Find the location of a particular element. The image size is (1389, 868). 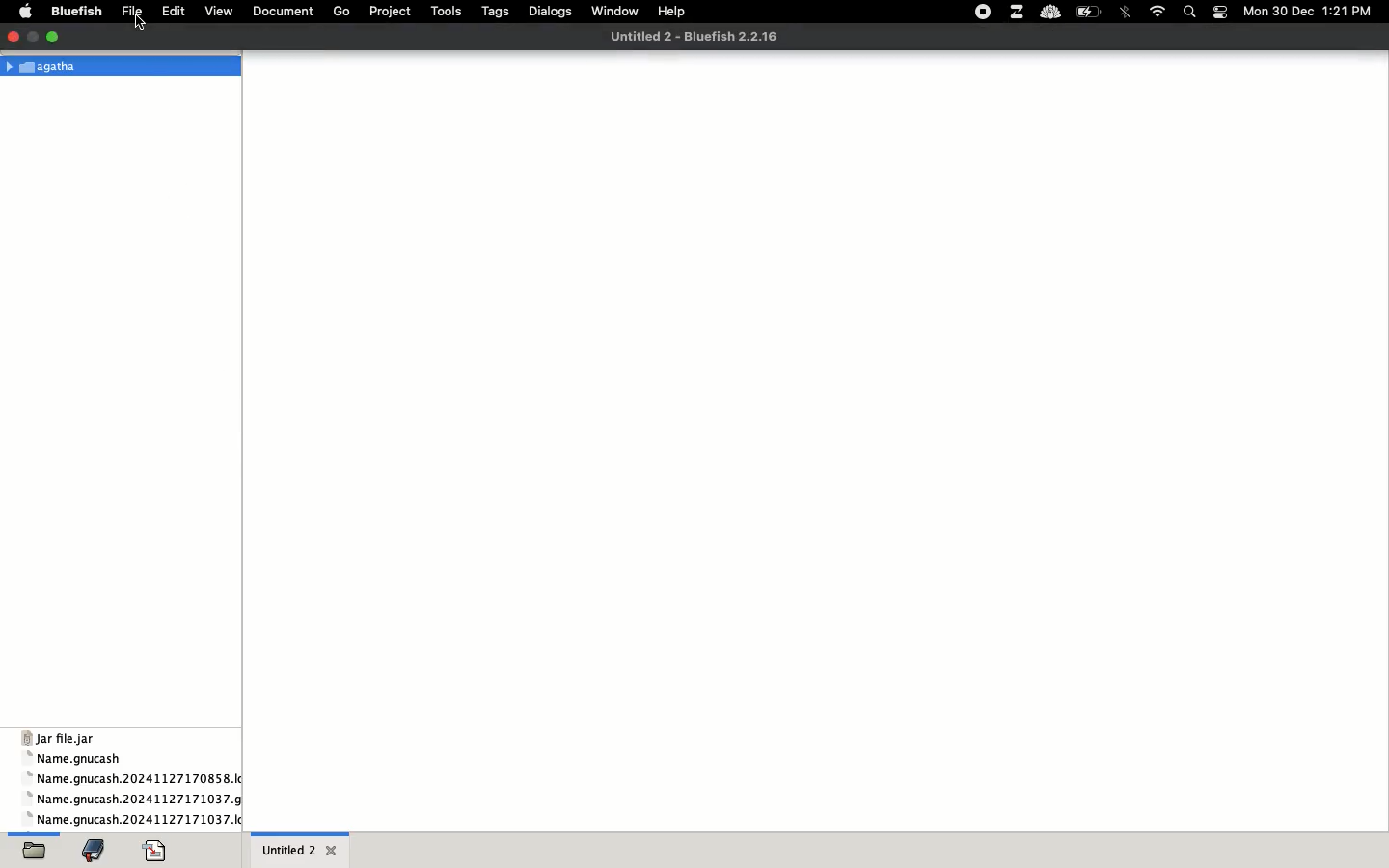

open is located at coordinates (35, 850).